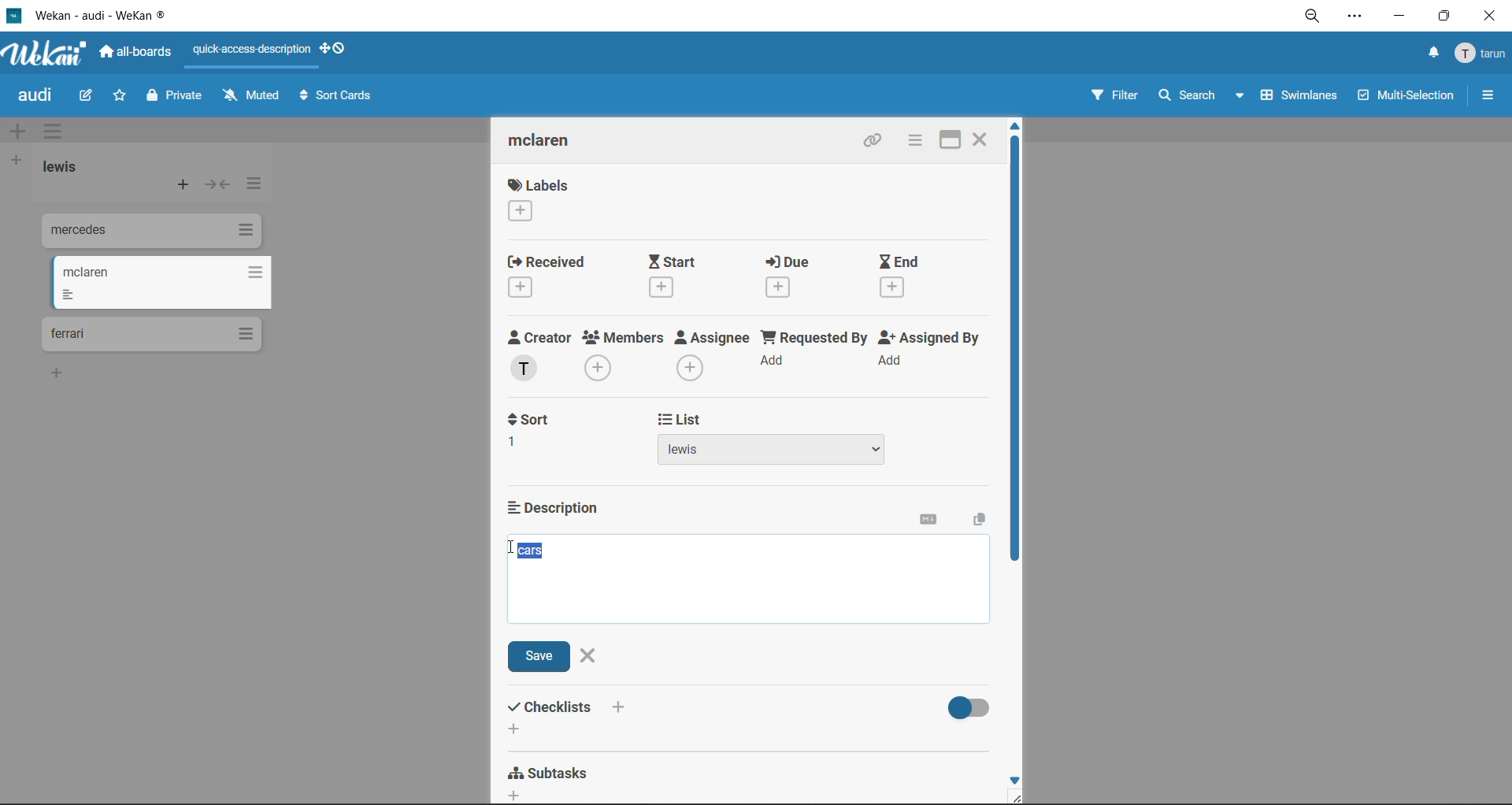  What do you see at coordinates (777, 440) in the screenshot?
I see `list` at bounding box center [777, 440].